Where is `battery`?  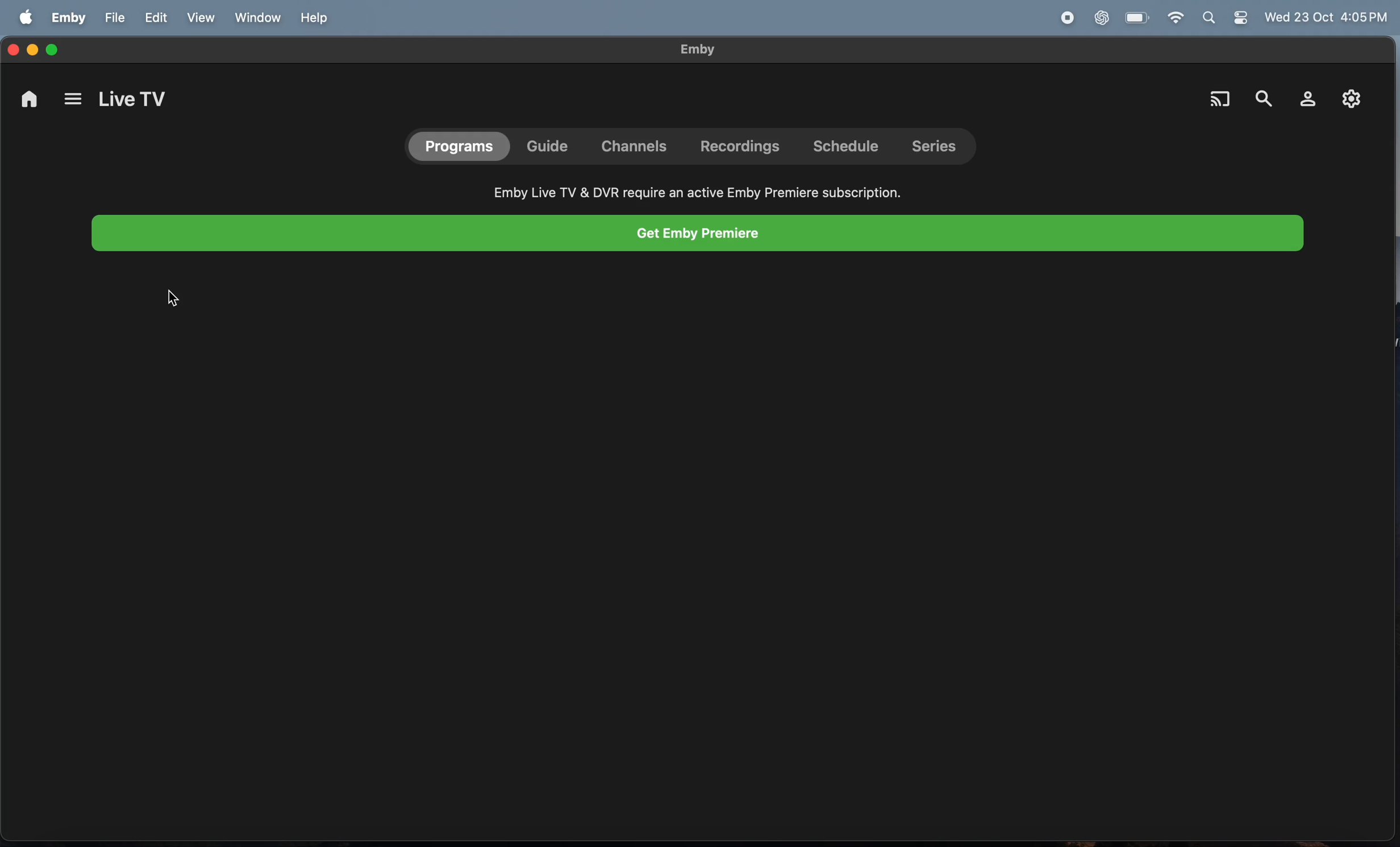 battery is located at coordinates (1137, 17).